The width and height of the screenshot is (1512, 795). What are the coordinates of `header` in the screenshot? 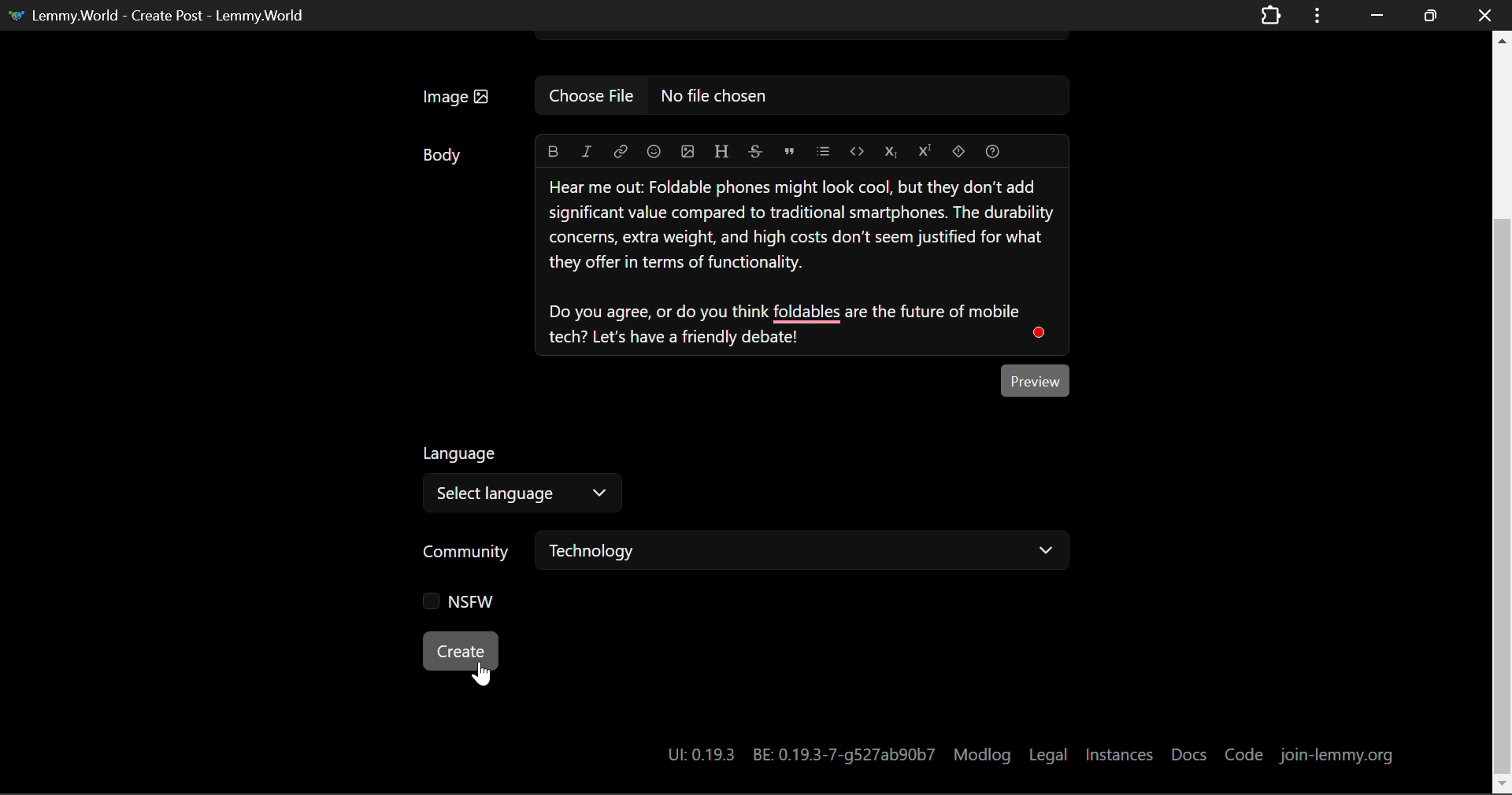 It's located at (723, 151).